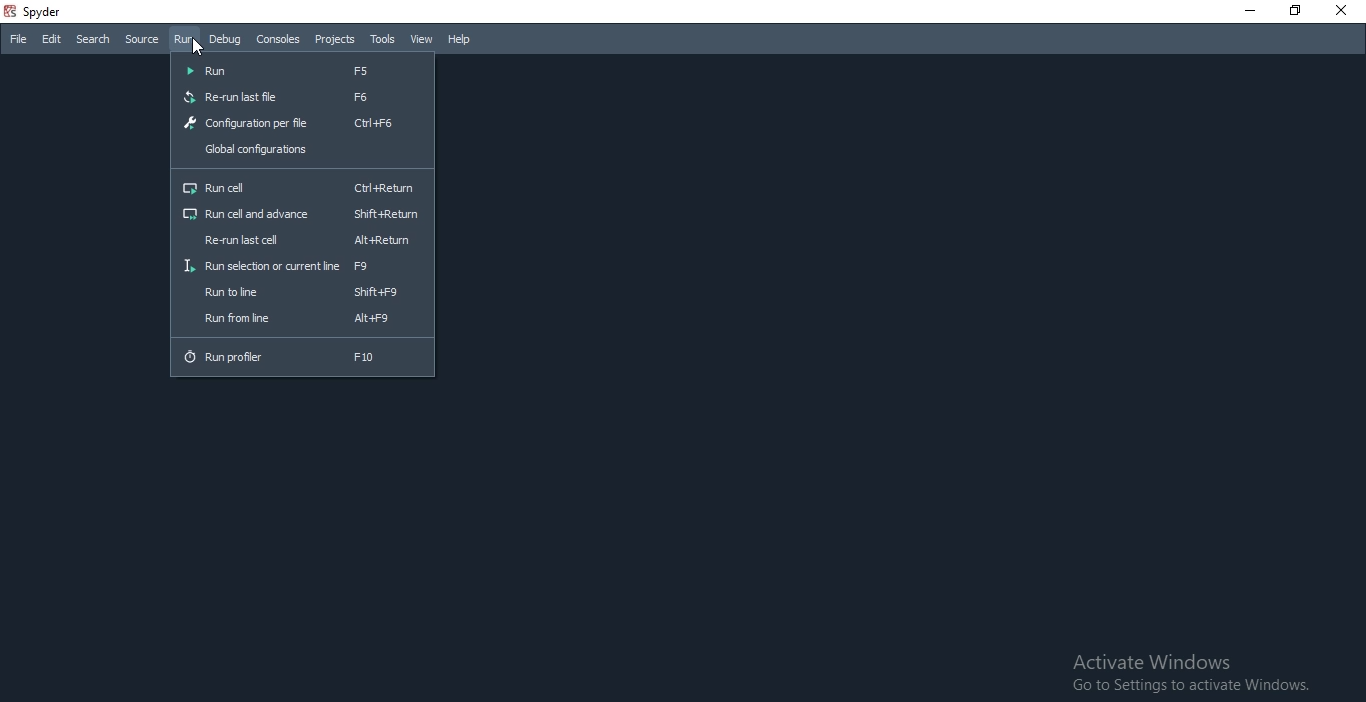 Image resolution: width=1366 pixels, height=702 pixels. Describe the element at coordinates (333, 40) in the screenshot. I see `Projects` at that location.